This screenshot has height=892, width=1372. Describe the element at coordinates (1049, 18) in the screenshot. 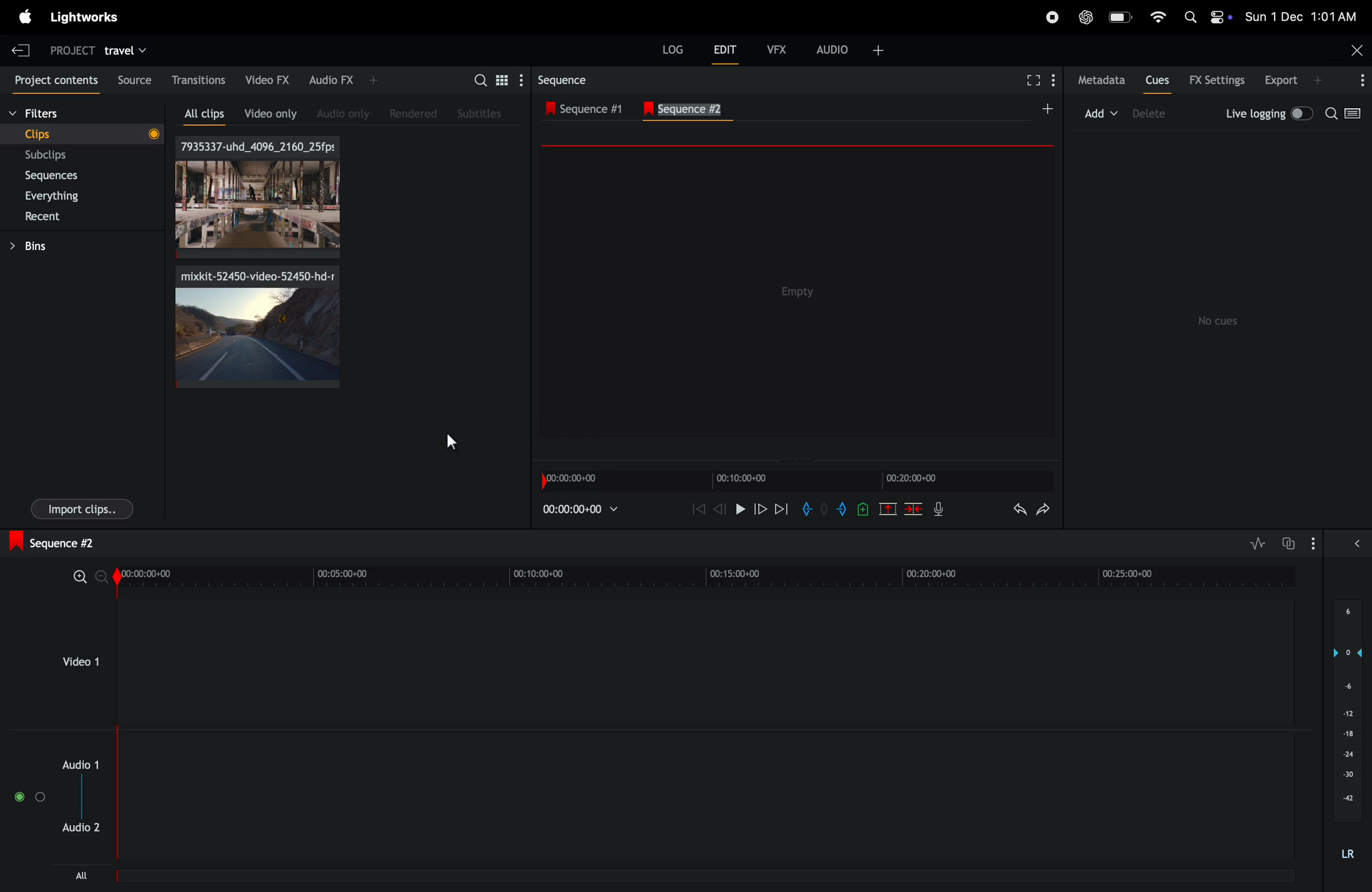

I see `record` at that location.